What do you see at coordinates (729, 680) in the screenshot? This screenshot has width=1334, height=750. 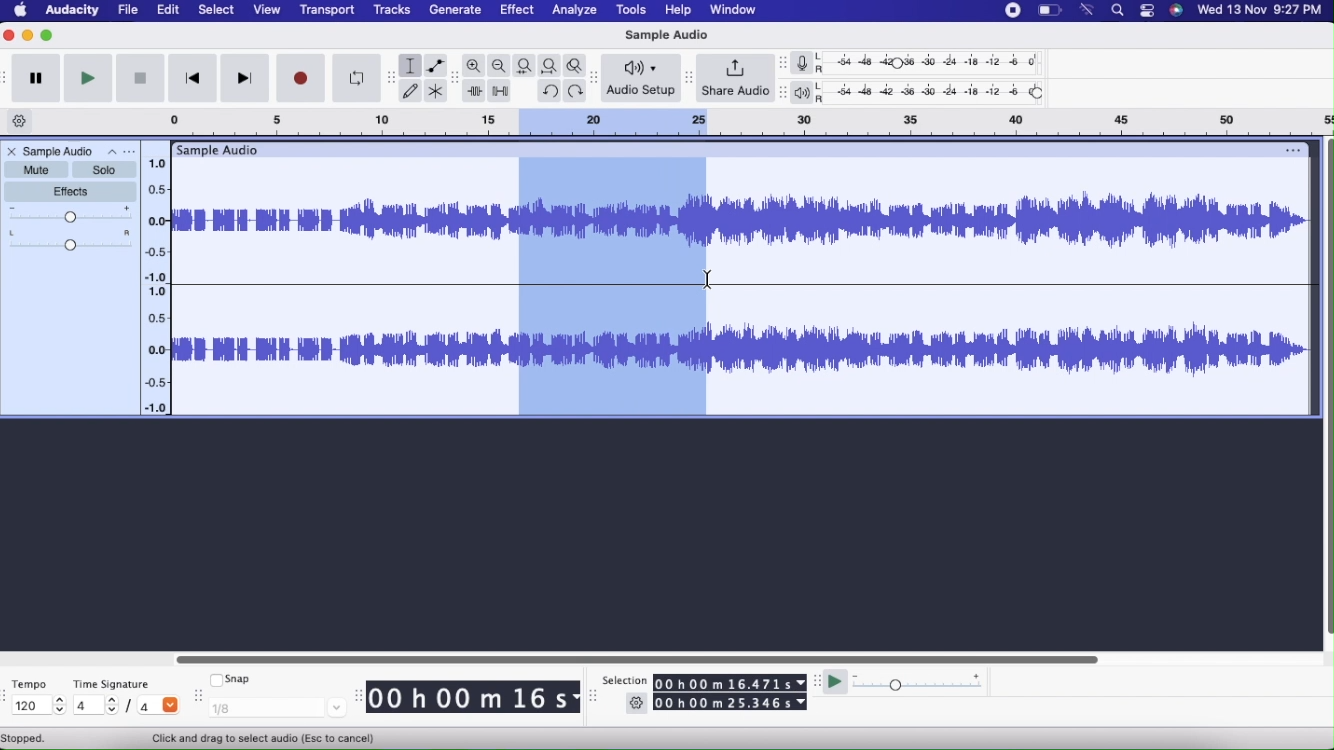 I see `00 h 00 m 16.471 s` at bounding box center [729, 680].